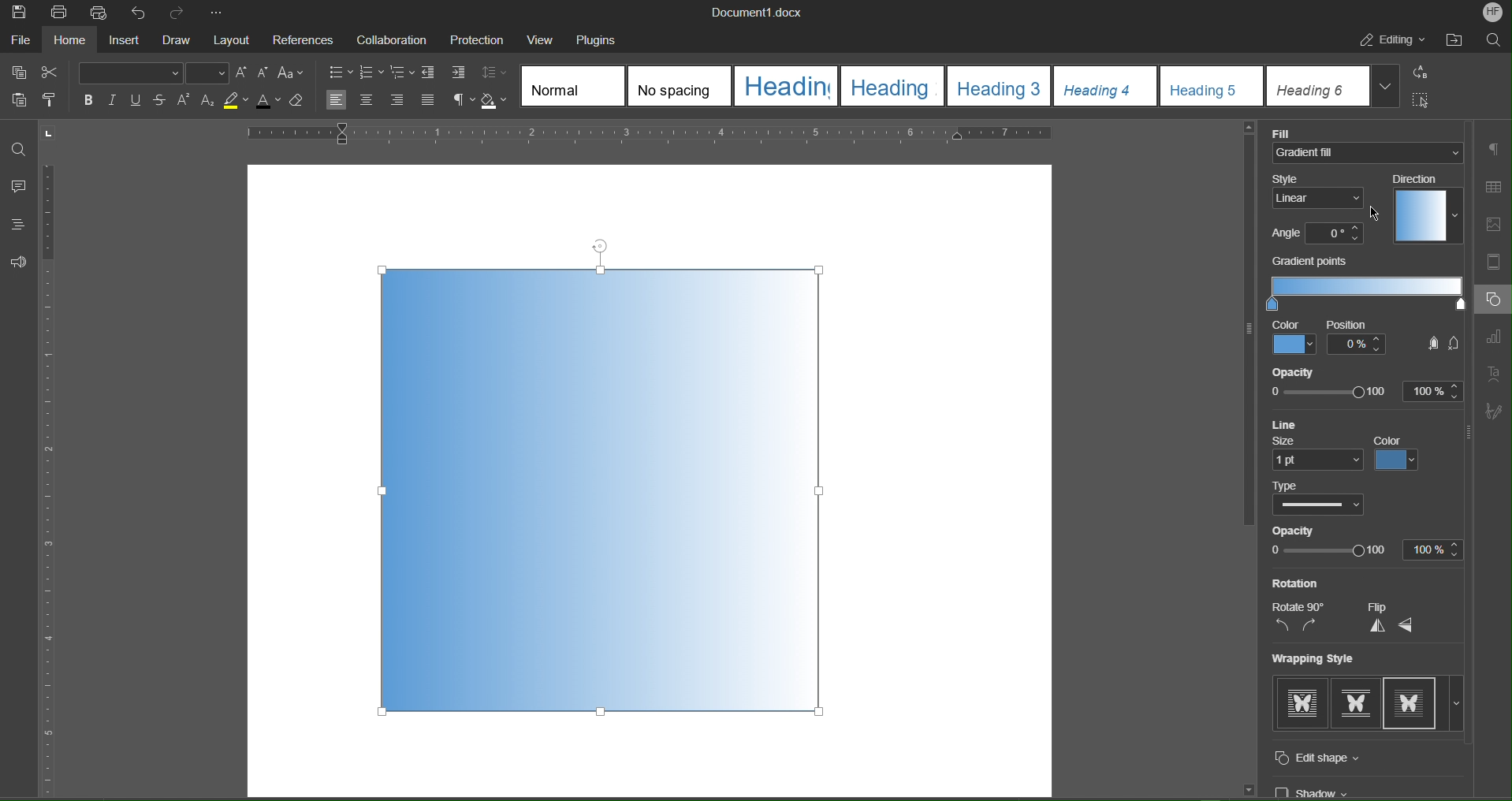 The height and width of the screenshot is (801, 1512). What do you see at coordinates (1291, 423) in the screenshot?
I see `Line` at bounding box center [1291, 423].